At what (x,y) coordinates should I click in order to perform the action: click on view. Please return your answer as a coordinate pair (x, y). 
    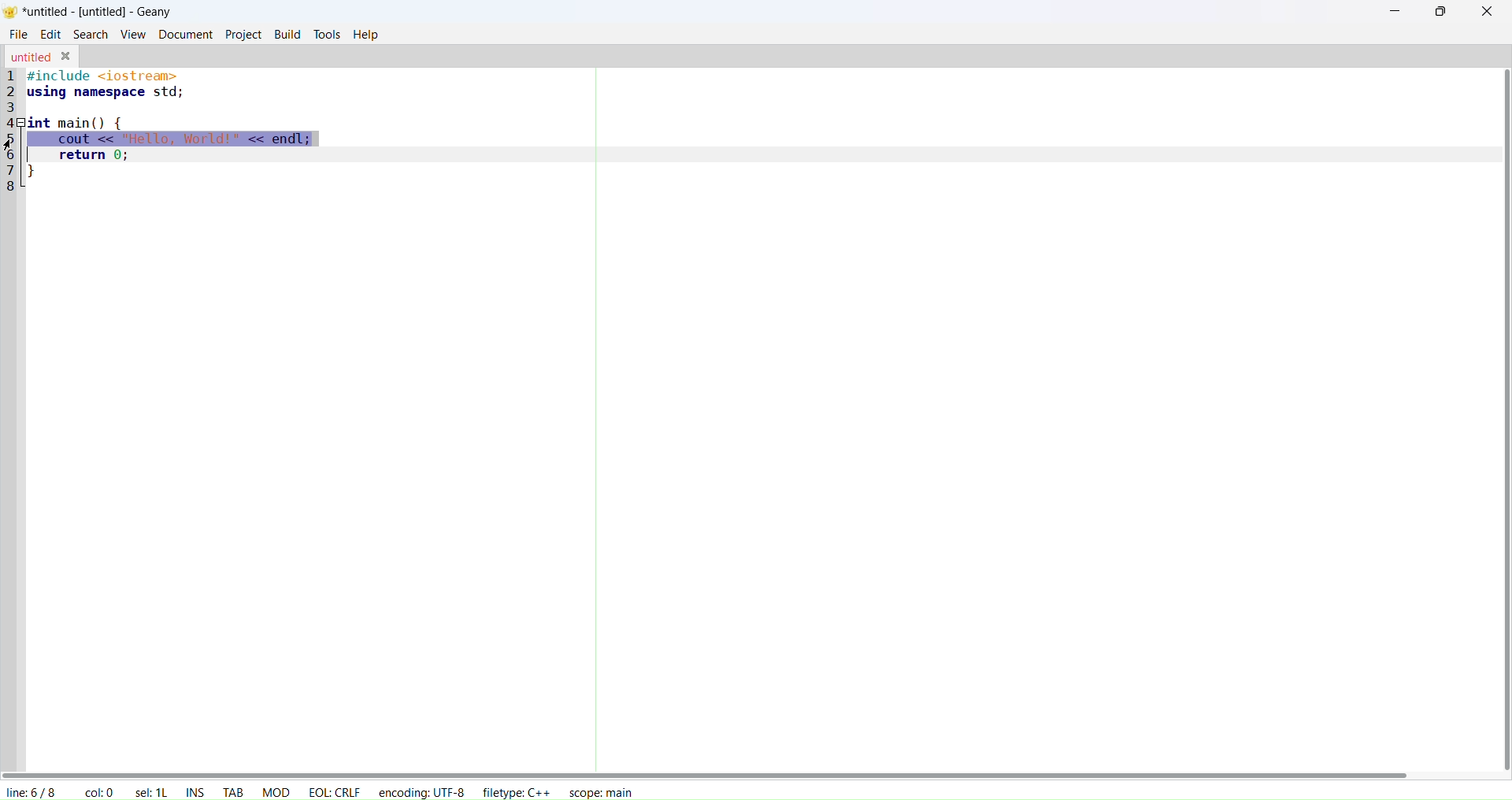
    Looking at the image, I should click on (135, 34).